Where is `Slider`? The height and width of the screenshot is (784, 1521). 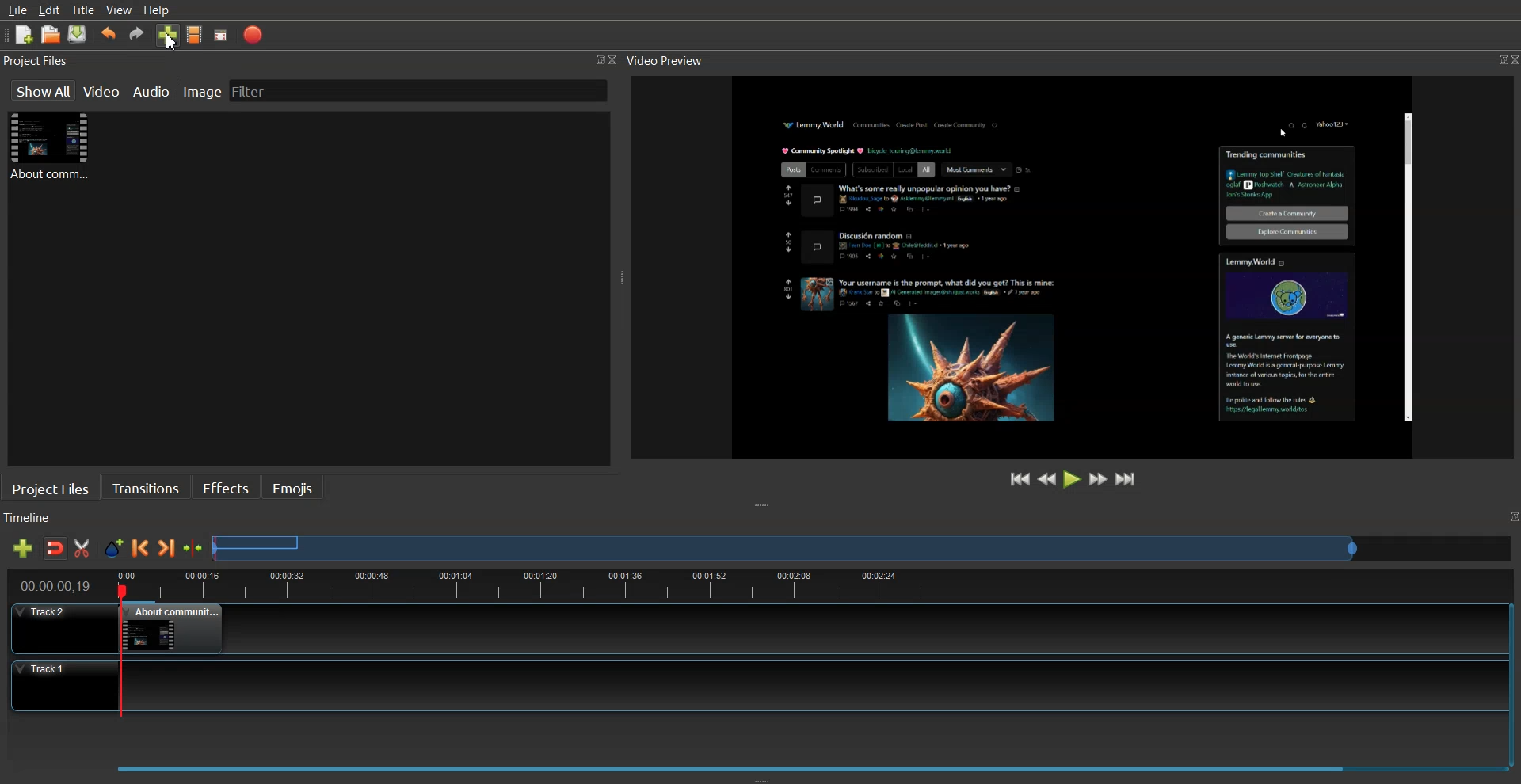 Slider is located at coordinates (863, 547).